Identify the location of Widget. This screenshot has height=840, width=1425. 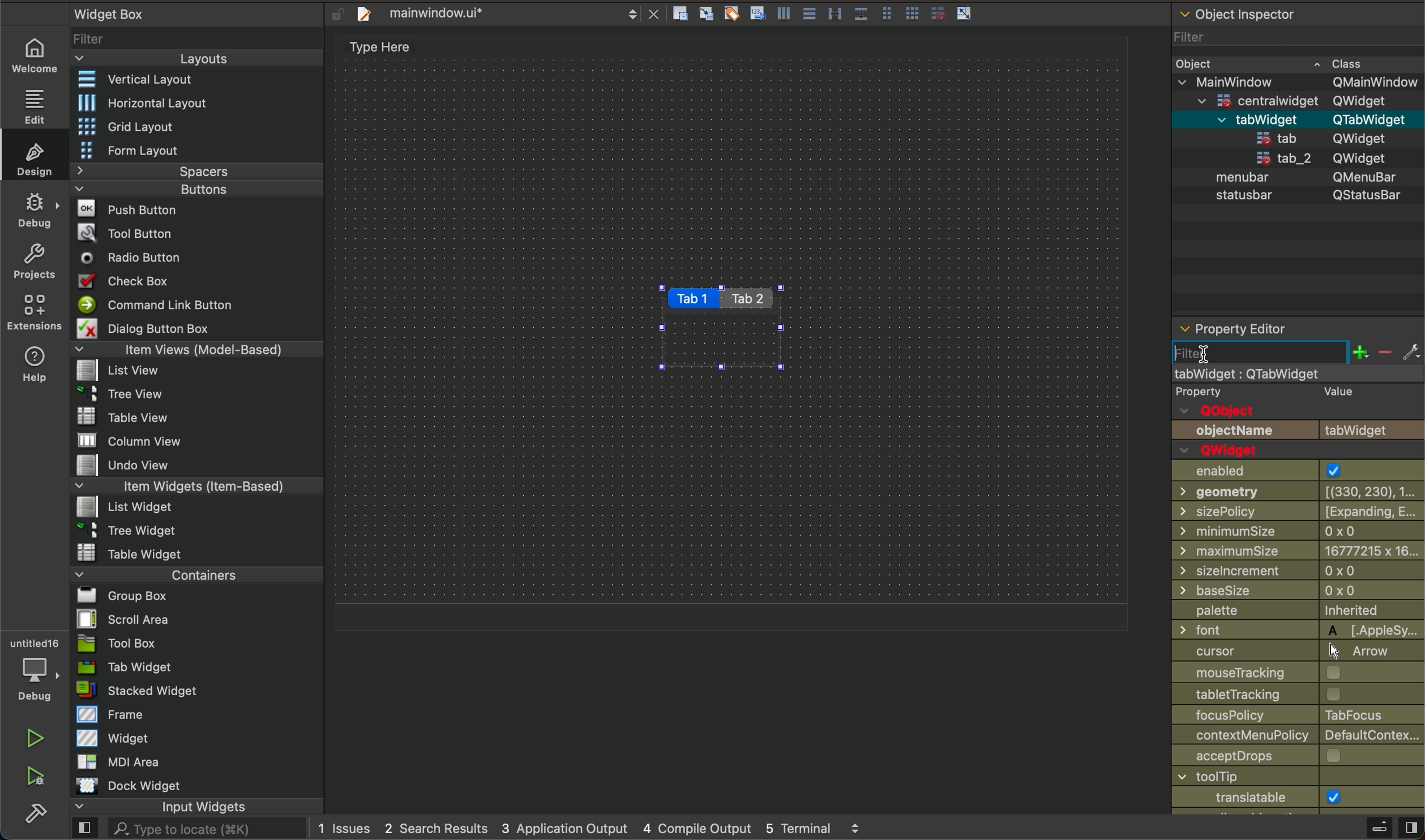
(114, 738).